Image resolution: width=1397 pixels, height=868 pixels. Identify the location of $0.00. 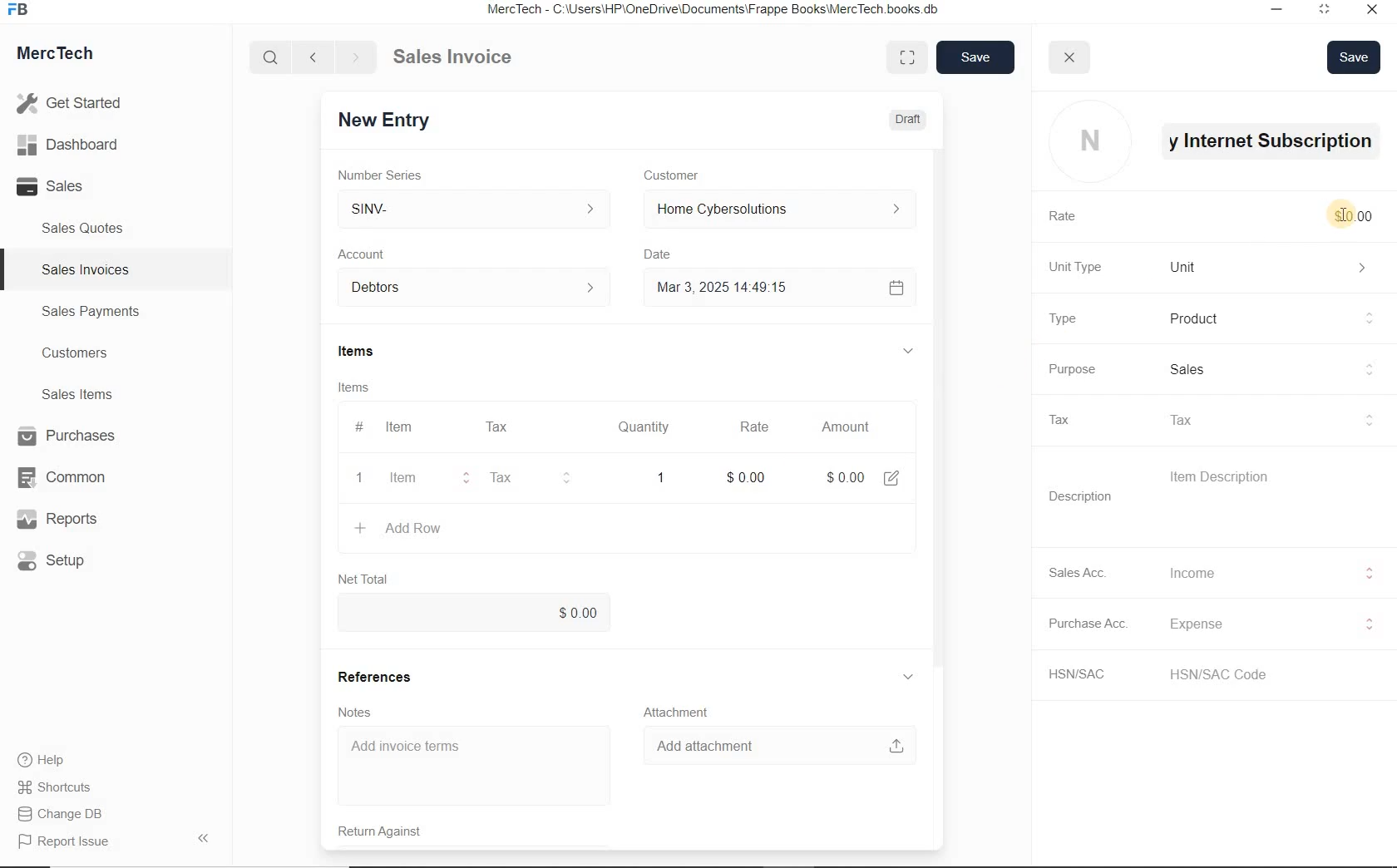
(475, 613).